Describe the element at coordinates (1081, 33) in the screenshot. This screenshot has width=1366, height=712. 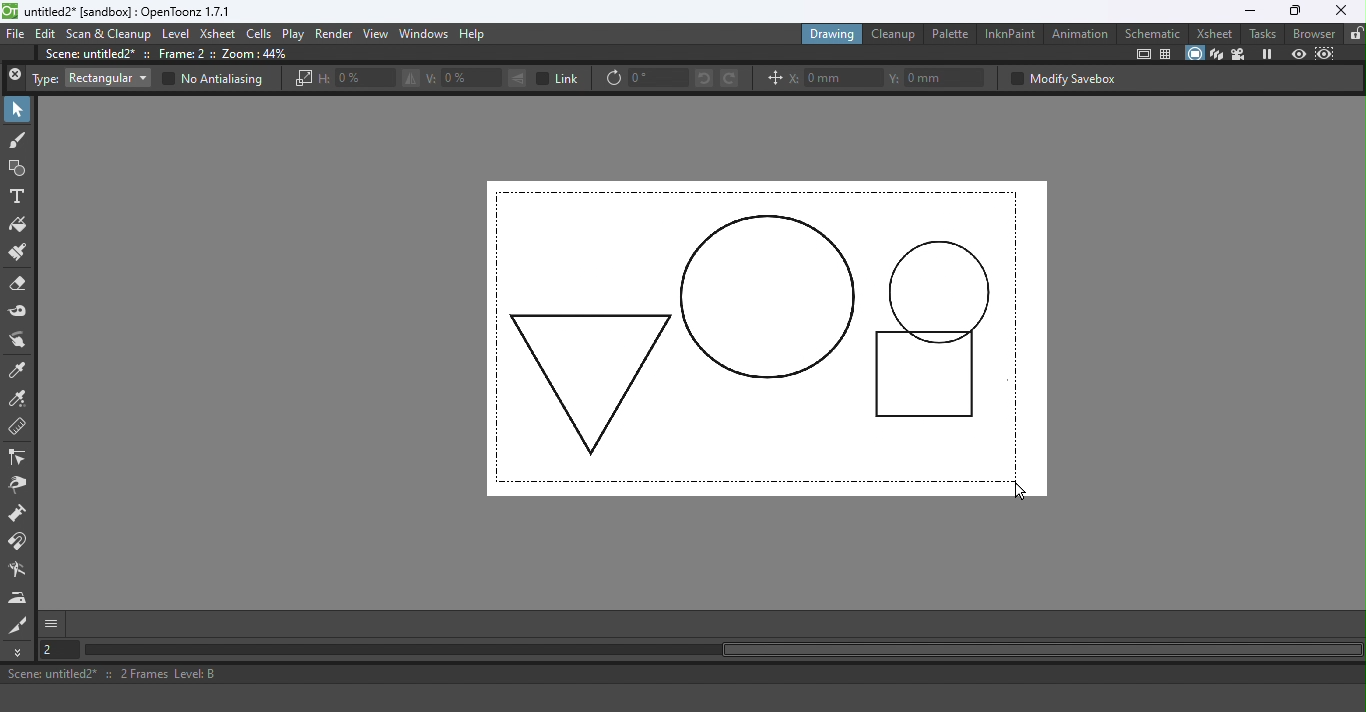
I see `Animation` at that location.